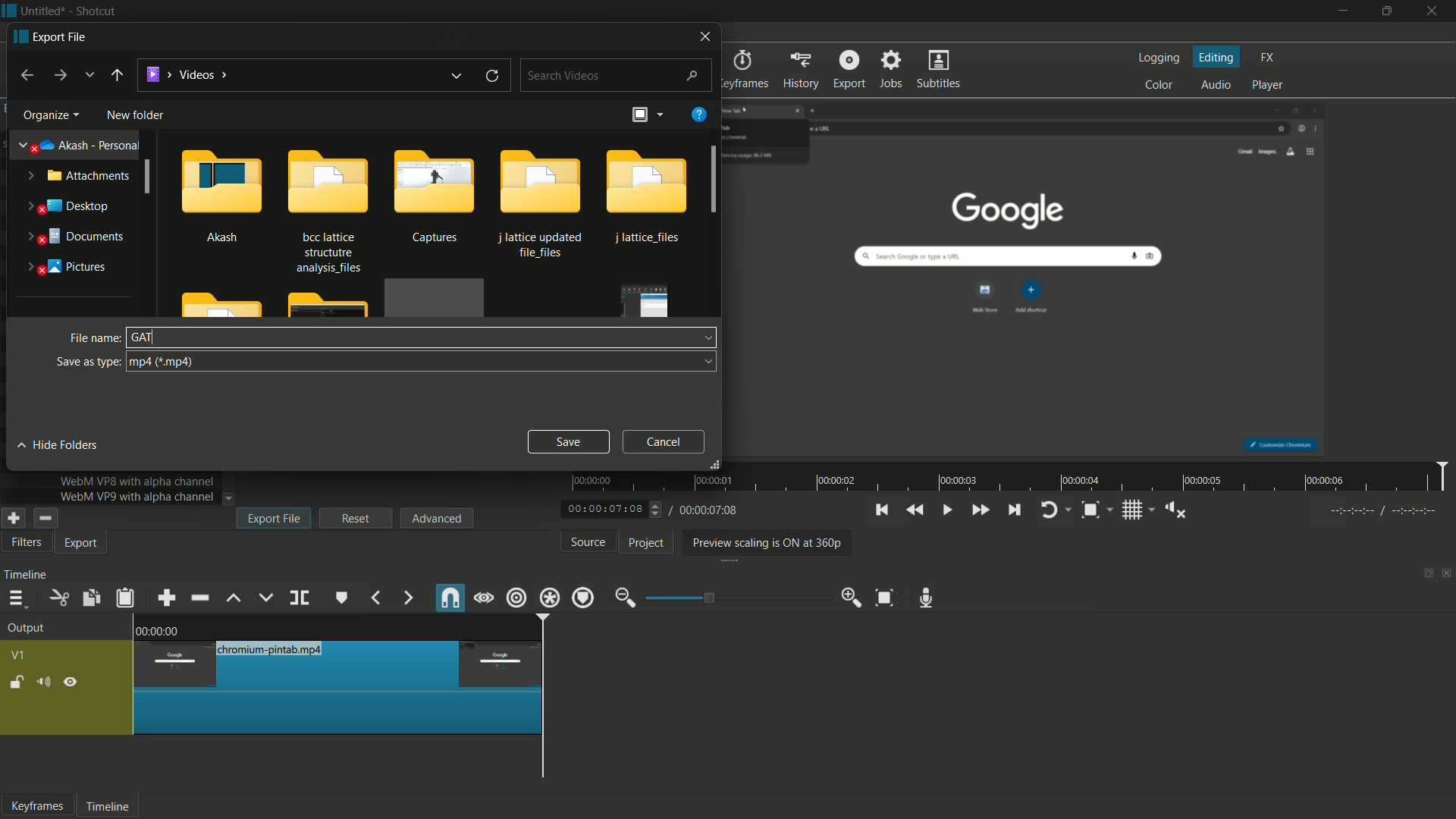 The height and width of the screenshot is (819, 1456). I want to click on keyframes, so click(745, 69).